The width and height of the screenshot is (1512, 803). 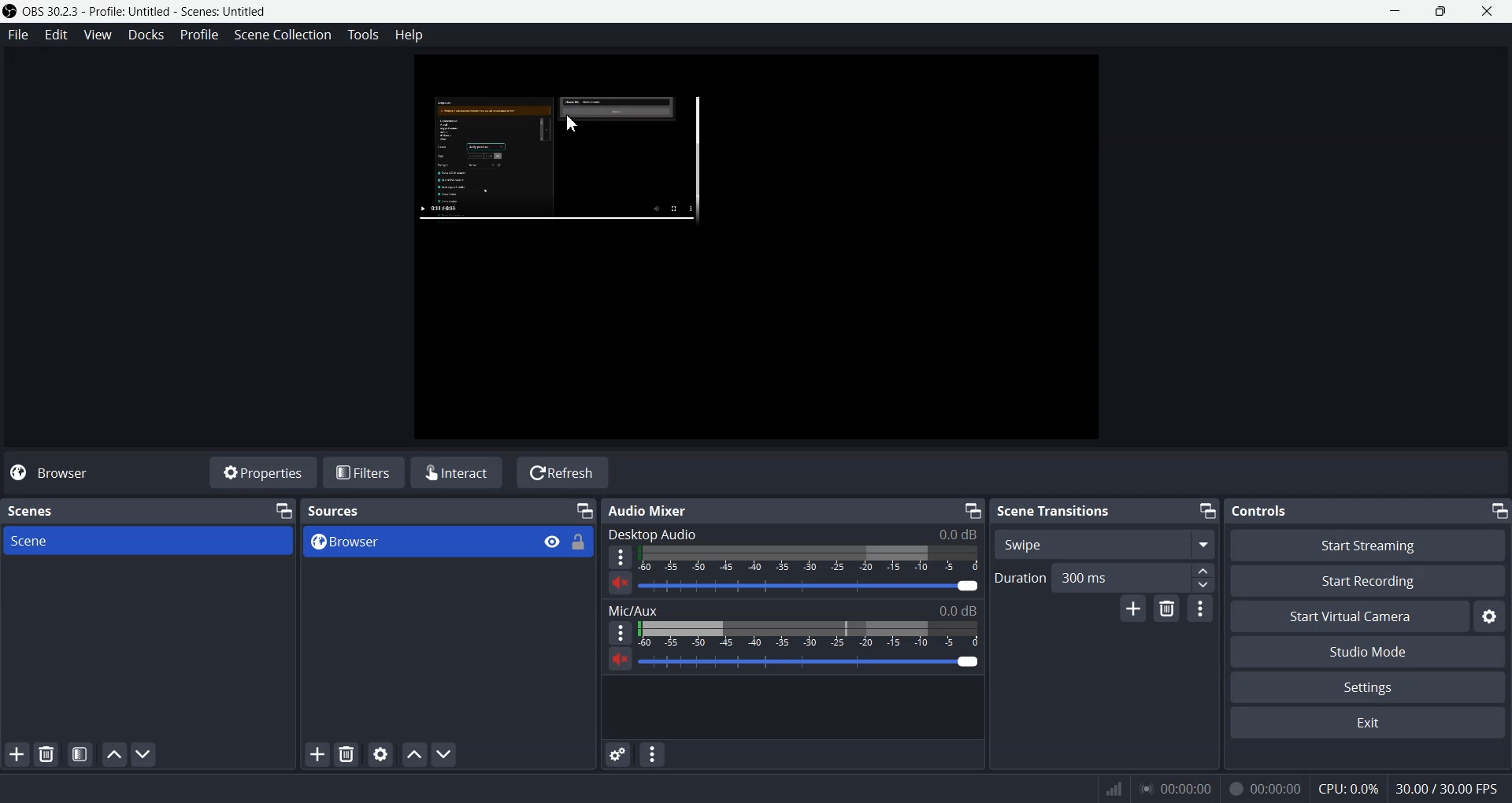 I want to click on Mic/Aux, so click(x=794, y=611).